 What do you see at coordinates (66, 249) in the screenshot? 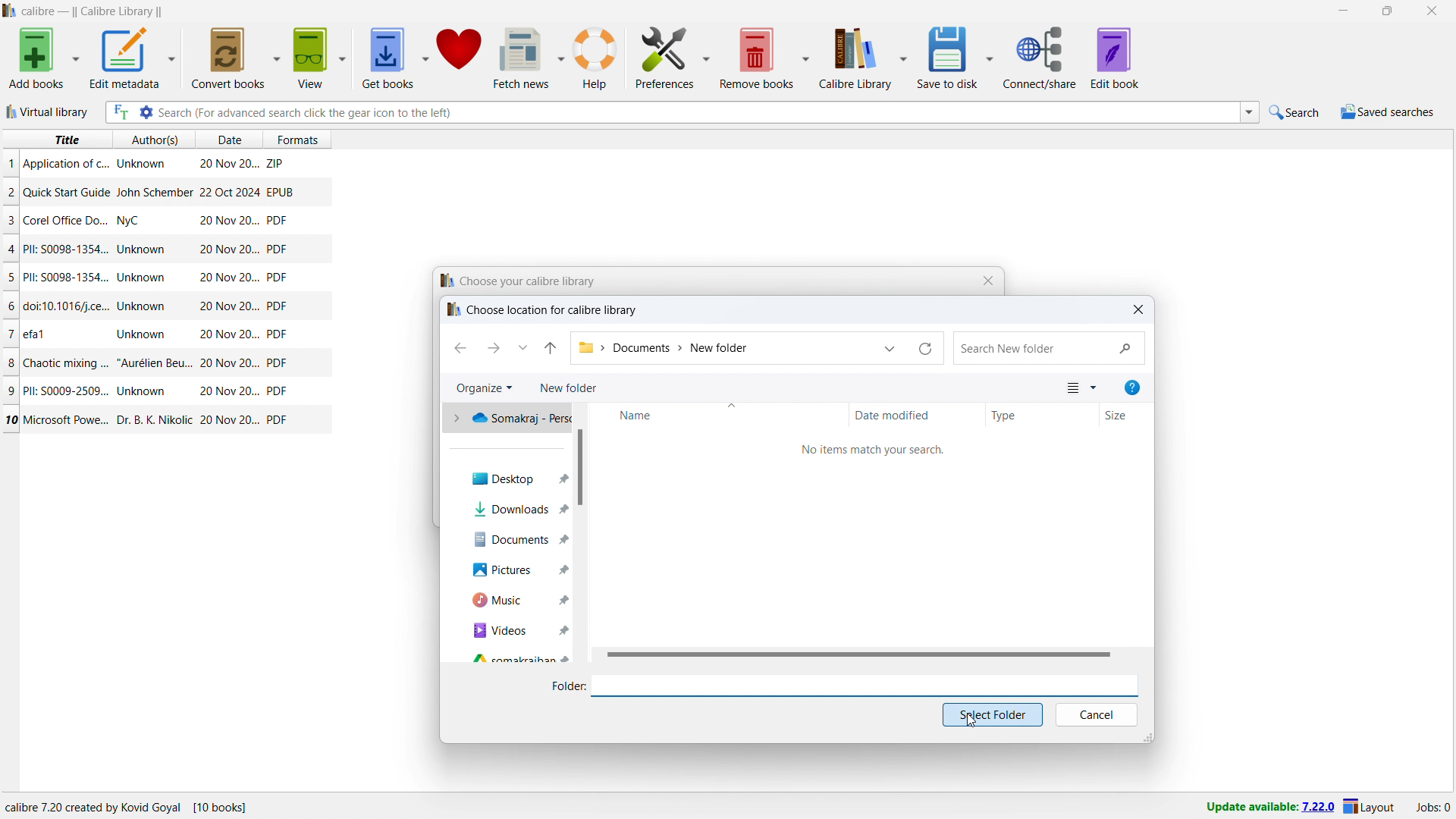
I see `Title` at bounding box center [66, 249].